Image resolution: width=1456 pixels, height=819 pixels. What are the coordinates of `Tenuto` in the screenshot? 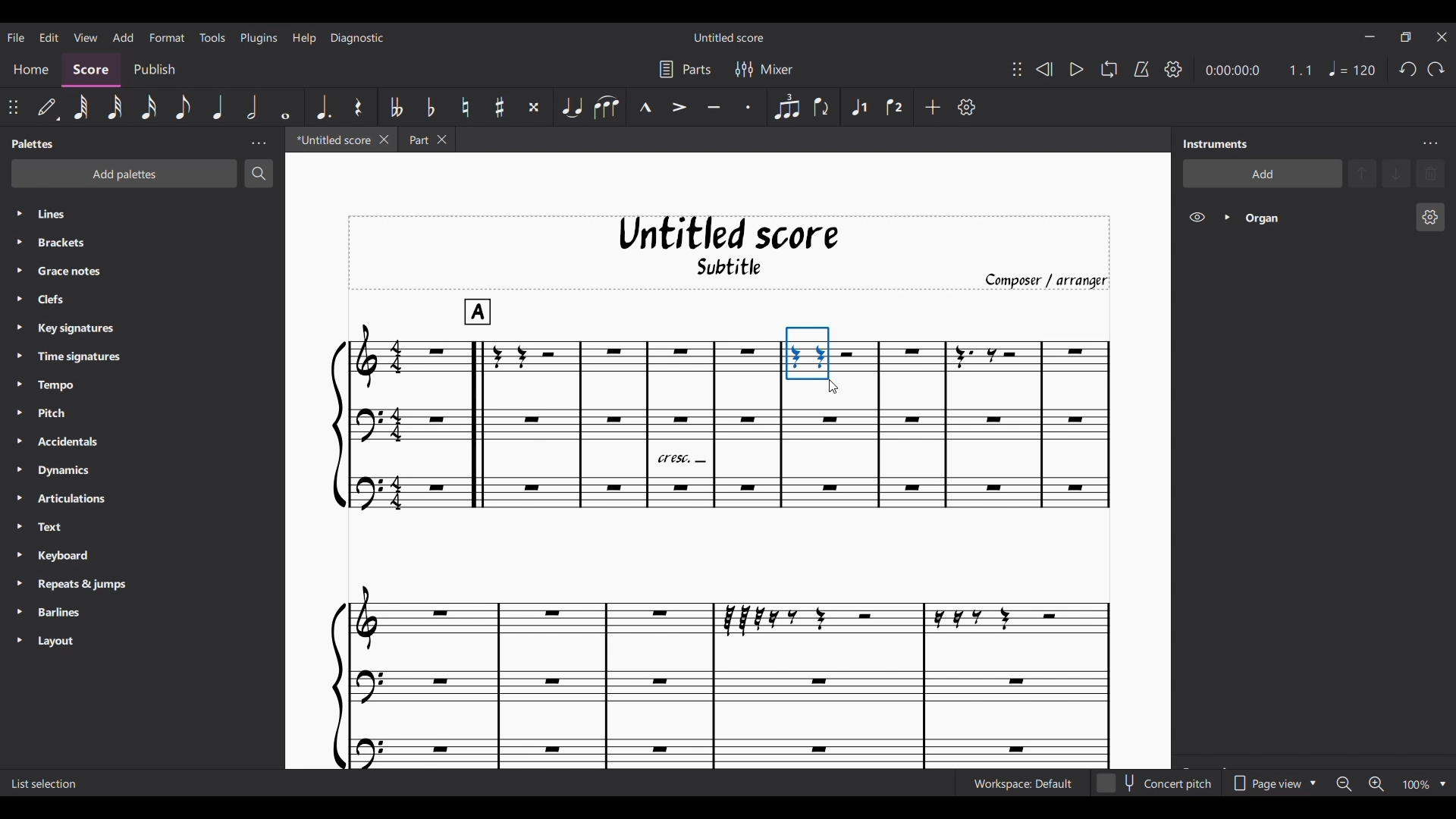 It's located at (714, 108).